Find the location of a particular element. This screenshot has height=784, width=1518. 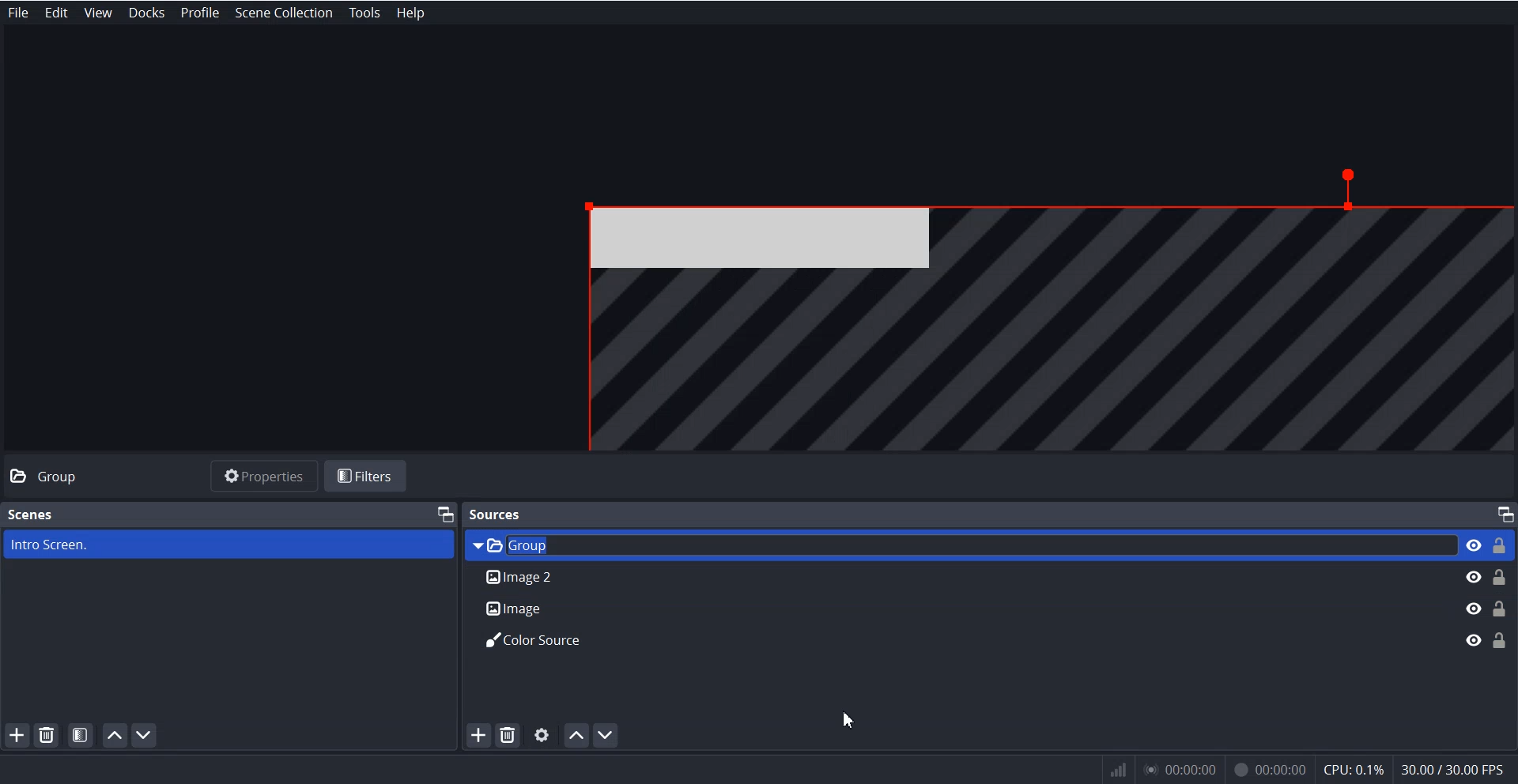

00:00:00 is located at coordinates (1183, 770).